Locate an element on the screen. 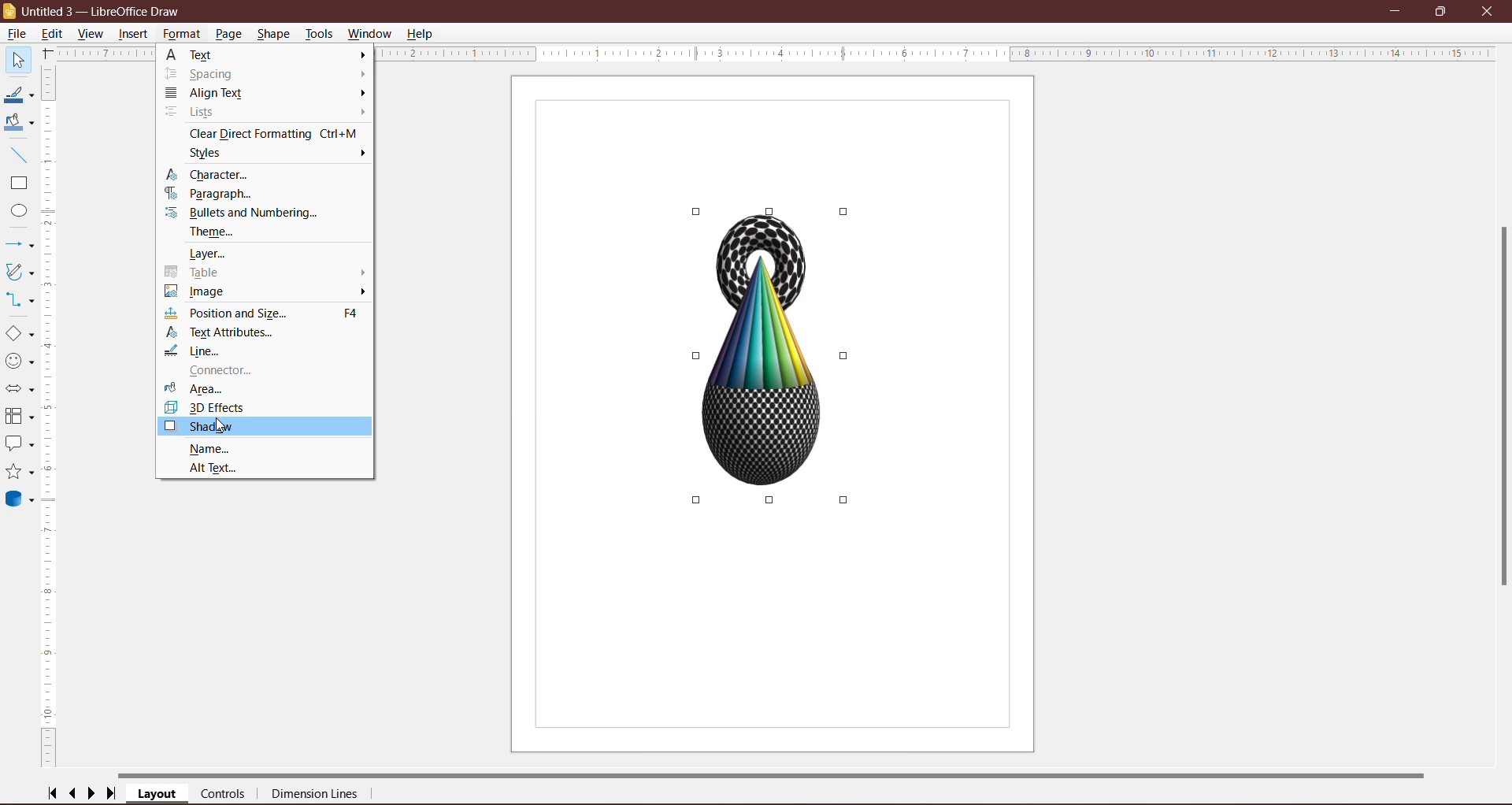  Shape is located at coordinates (273, 34).